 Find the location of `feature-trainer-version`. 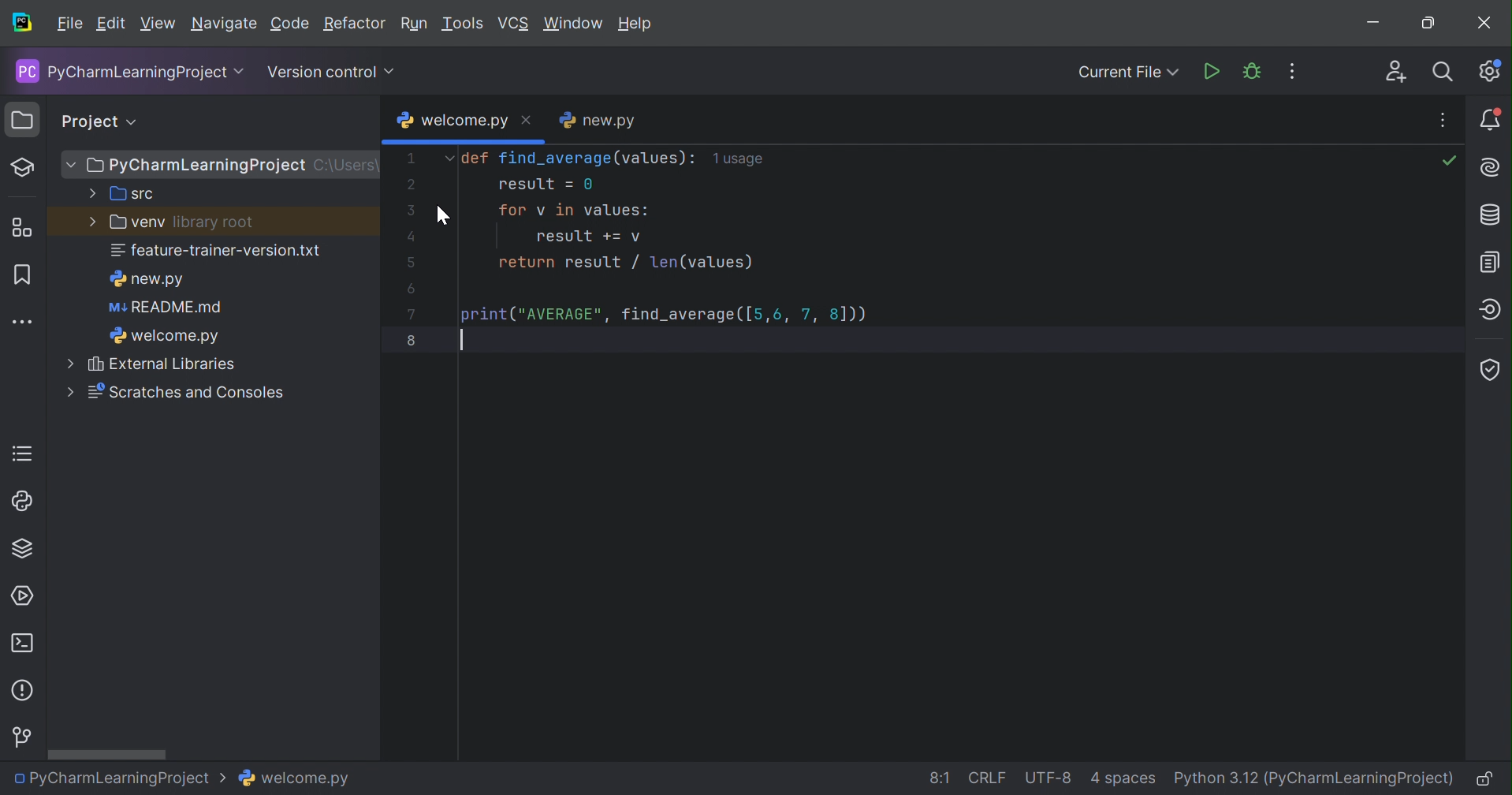

feature-trainer-version is located at coordinates (215, 252).